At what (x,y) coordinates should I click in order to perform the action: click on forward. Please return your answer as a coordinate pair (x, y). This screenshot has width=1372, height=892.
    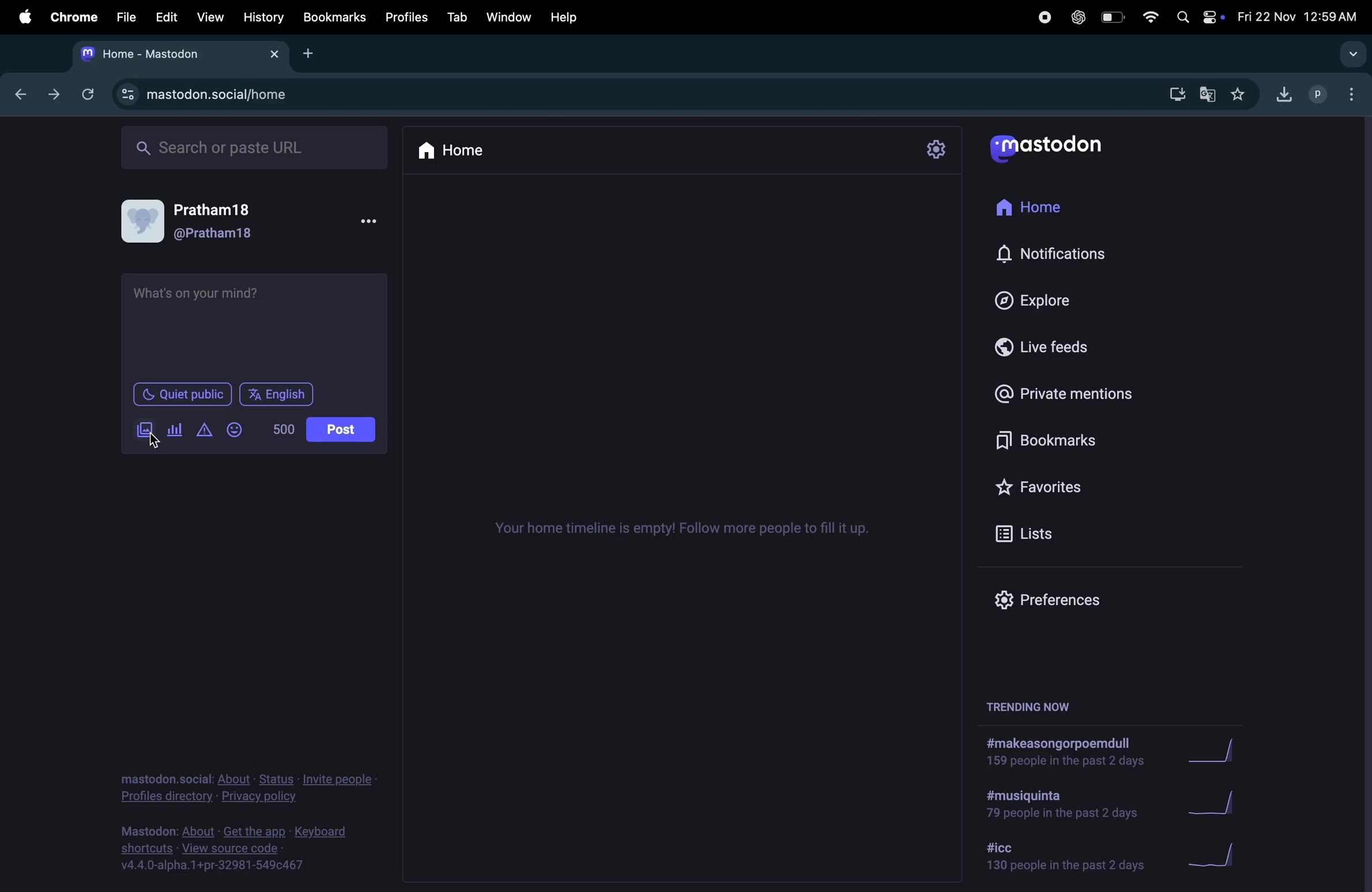
    Looking at the image, I should click on (55, 96).